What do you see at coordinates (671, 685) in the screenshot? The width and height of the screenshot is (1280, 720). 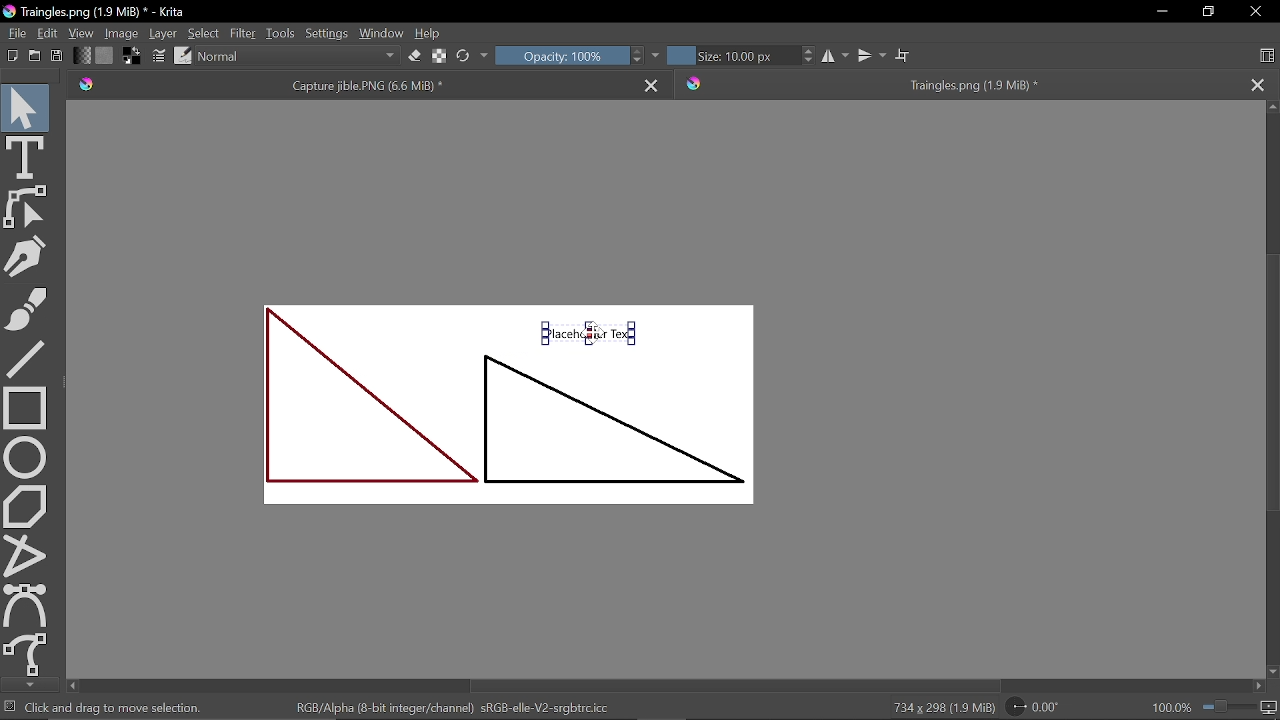 I see `Horizontal scrollbar` at bounding box center [671, 685].